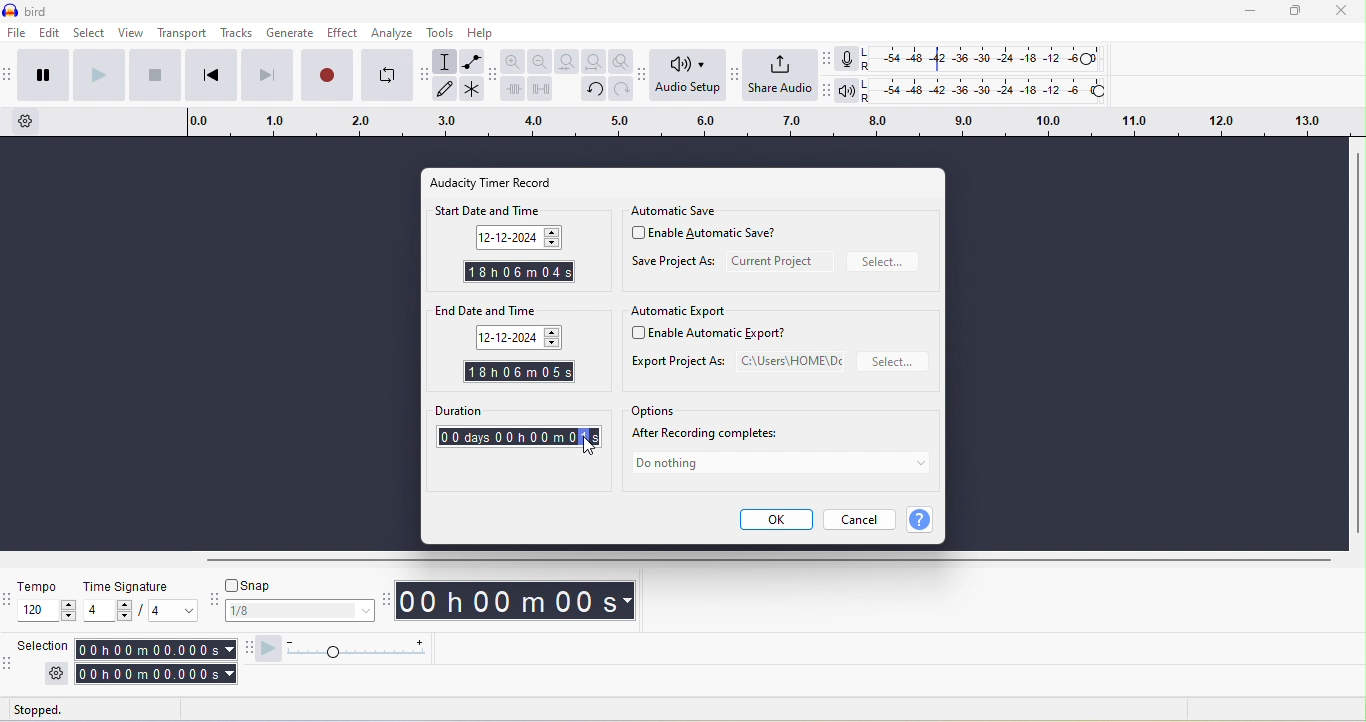 The width and height of the screenshot is (1366, 722). What do you see at coordinates (517, 237) in the screenshot?
I see `date` at bounding box center [517, 237].